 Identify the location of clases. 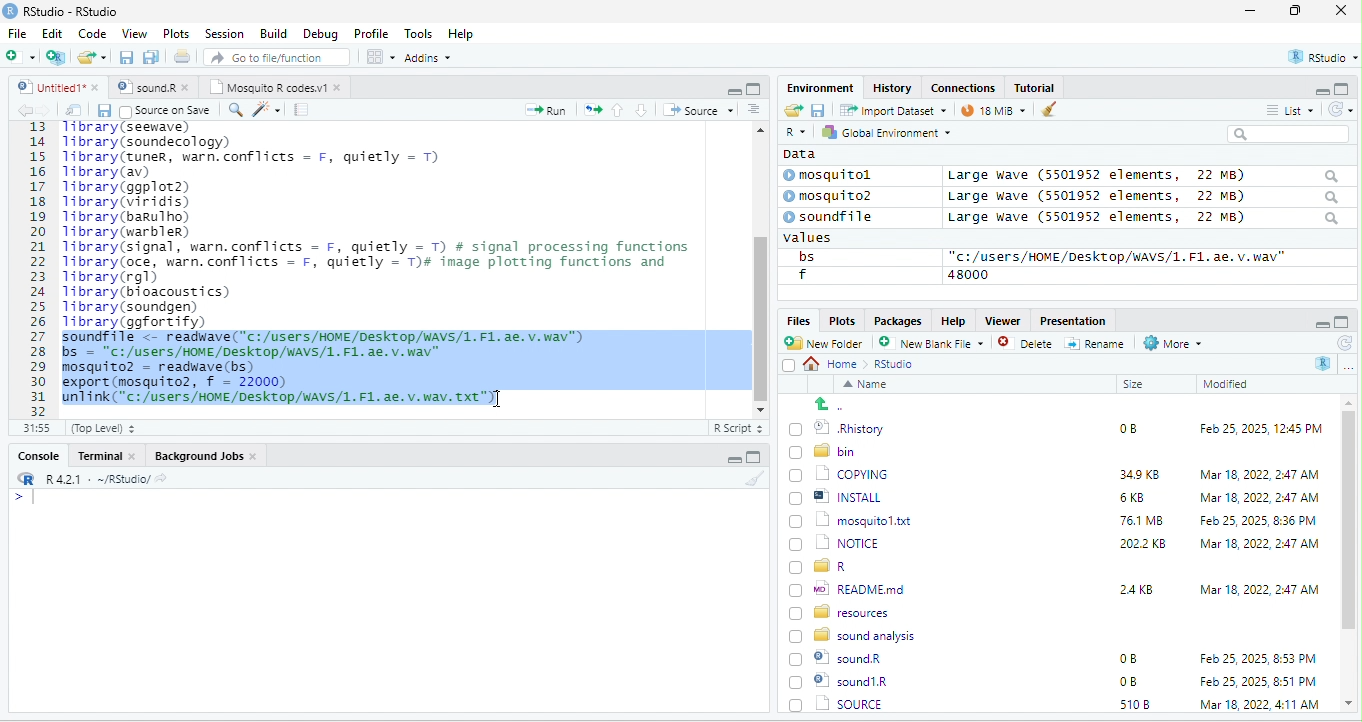
(965, 86).